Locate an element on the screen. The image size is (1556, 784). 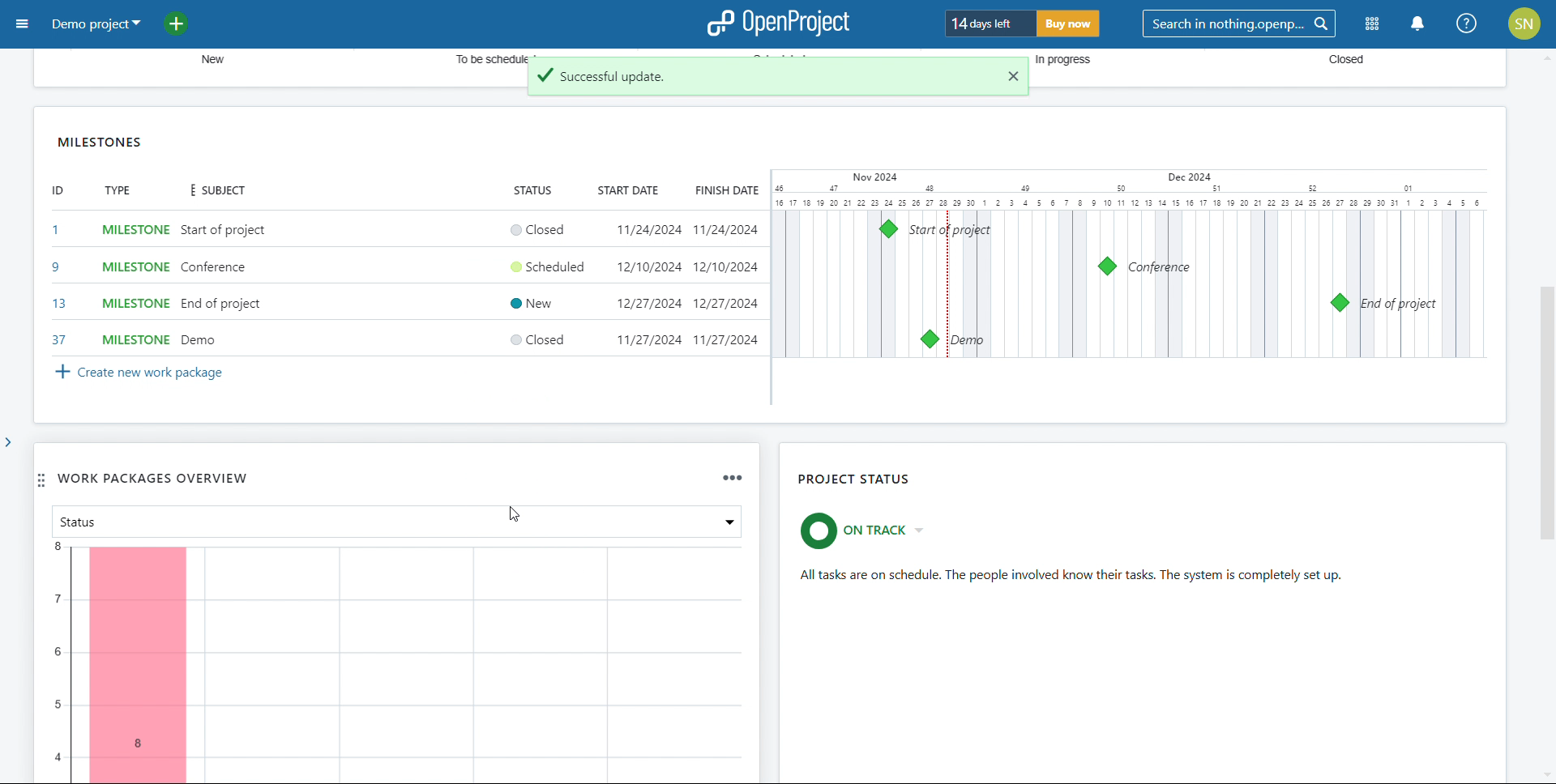
scroll bar is located at coordinates (1546, 431).